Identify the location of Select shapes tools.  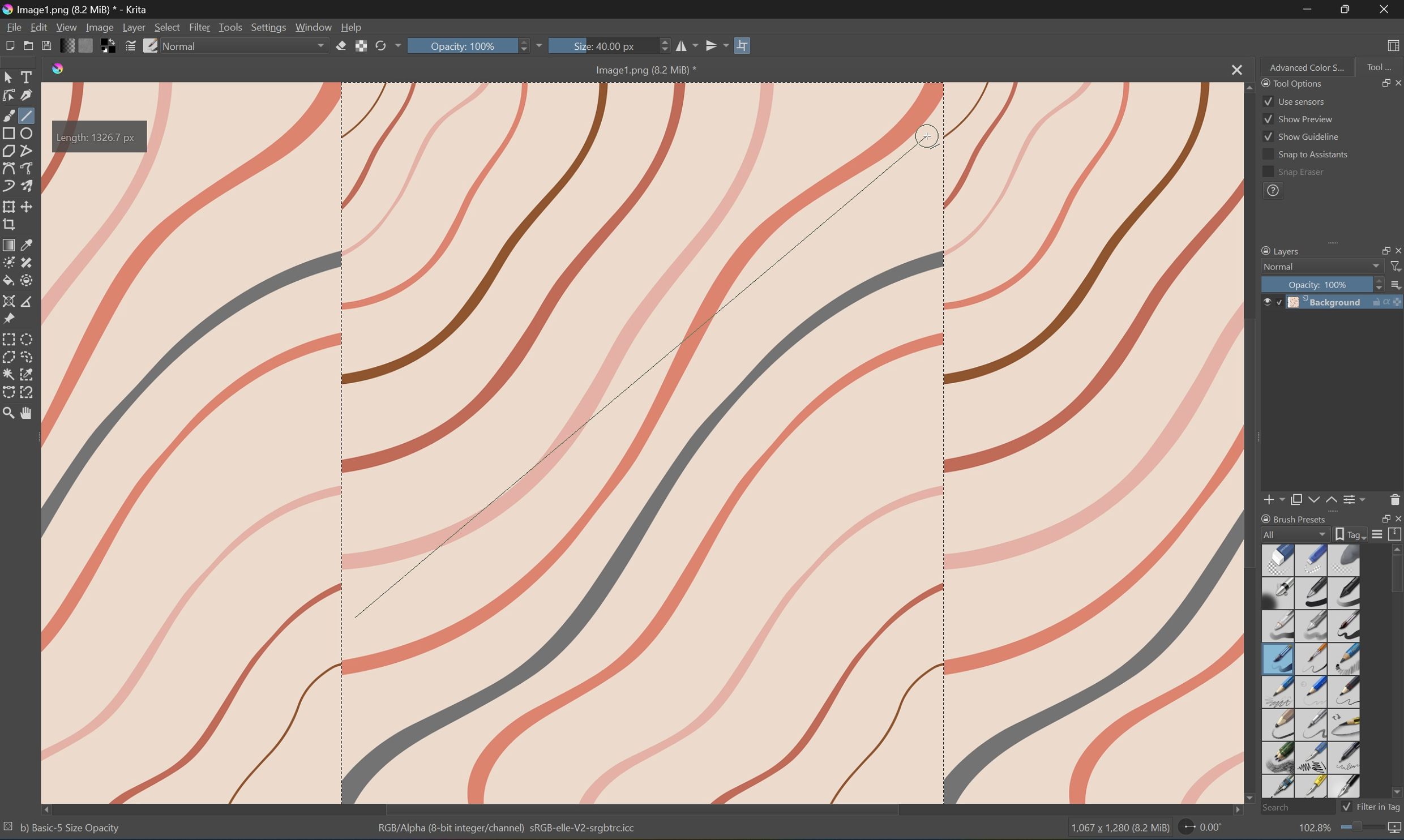
(10, 76).